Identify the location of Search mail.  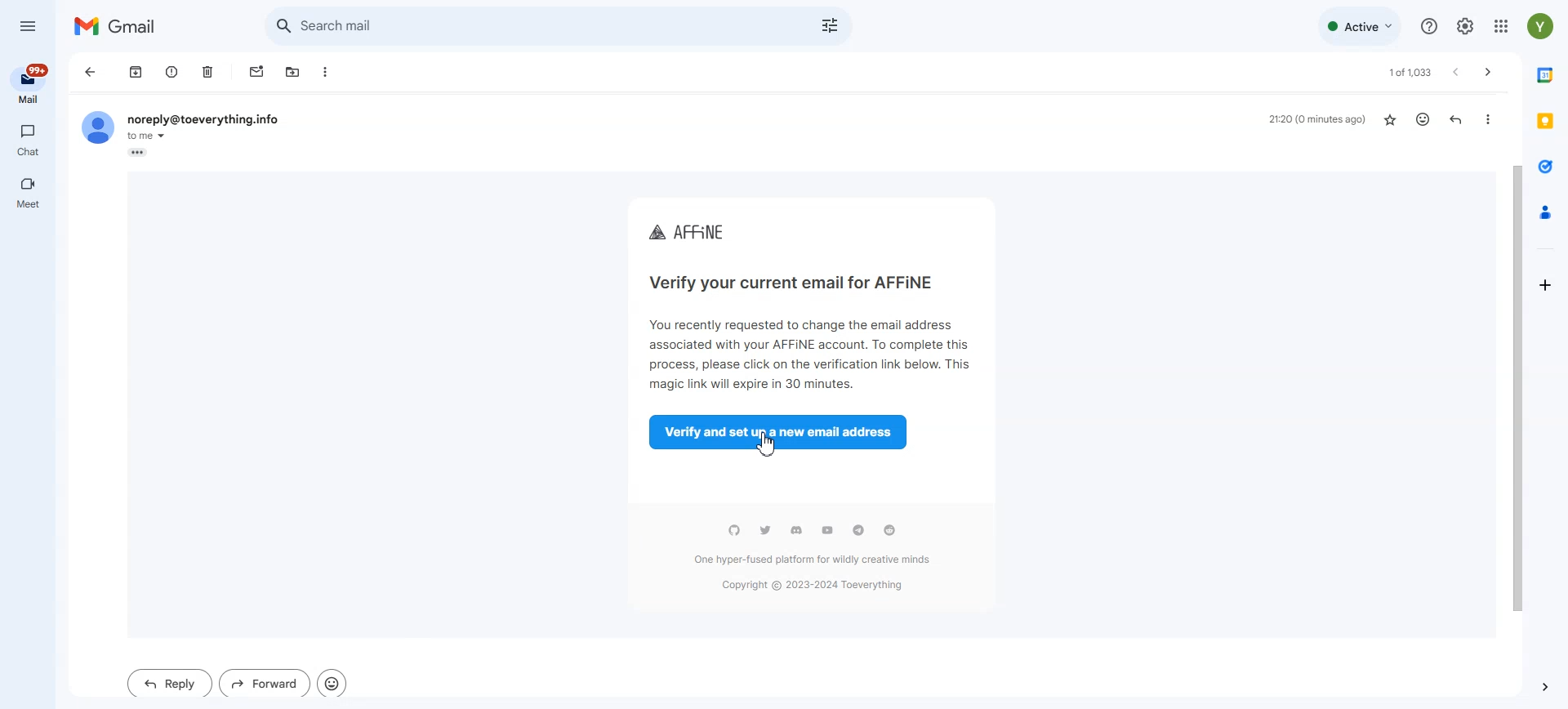
(536, 24).